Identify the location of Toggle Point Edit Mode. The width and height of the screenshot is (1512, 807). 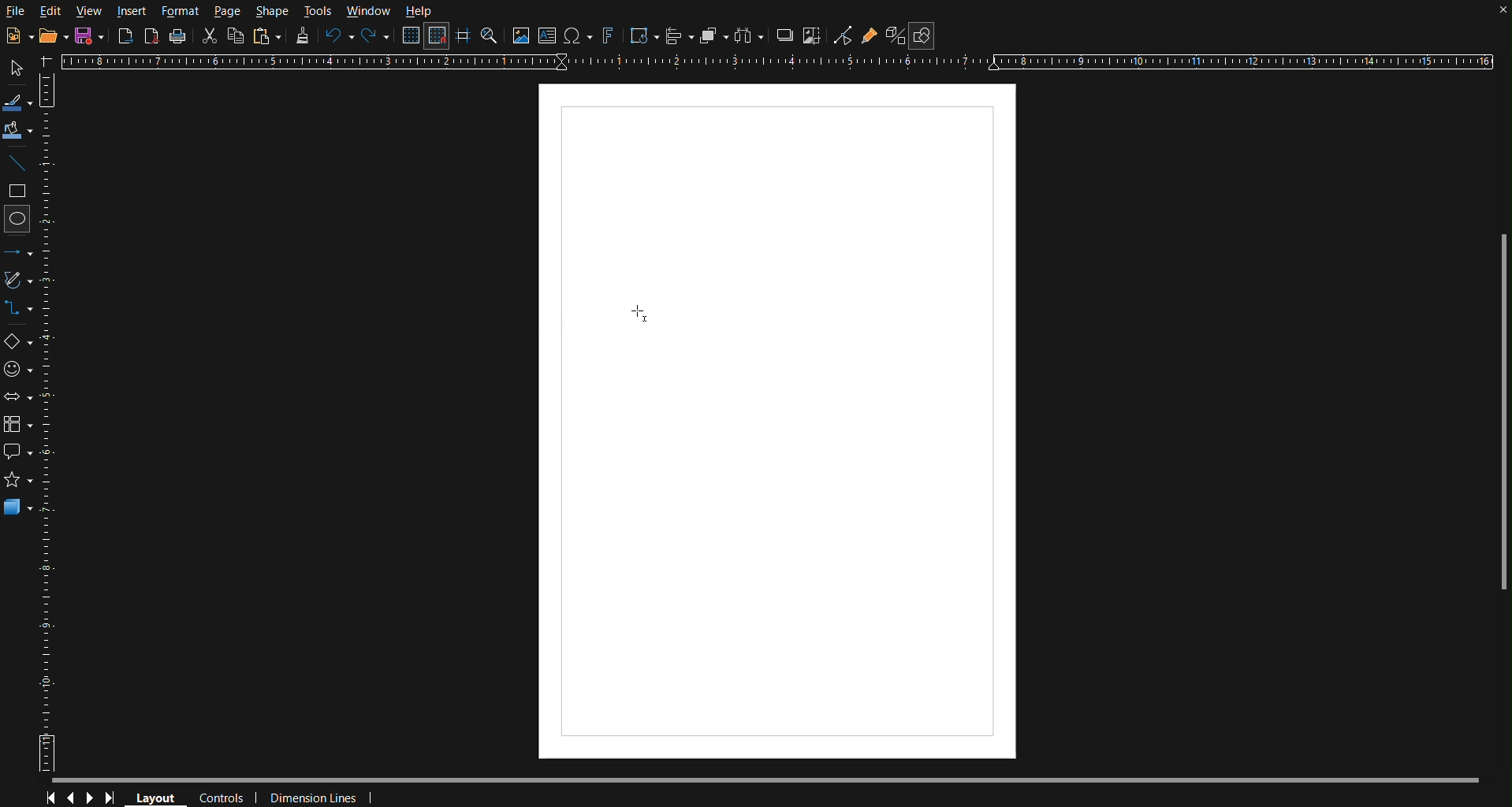
(844, 37).